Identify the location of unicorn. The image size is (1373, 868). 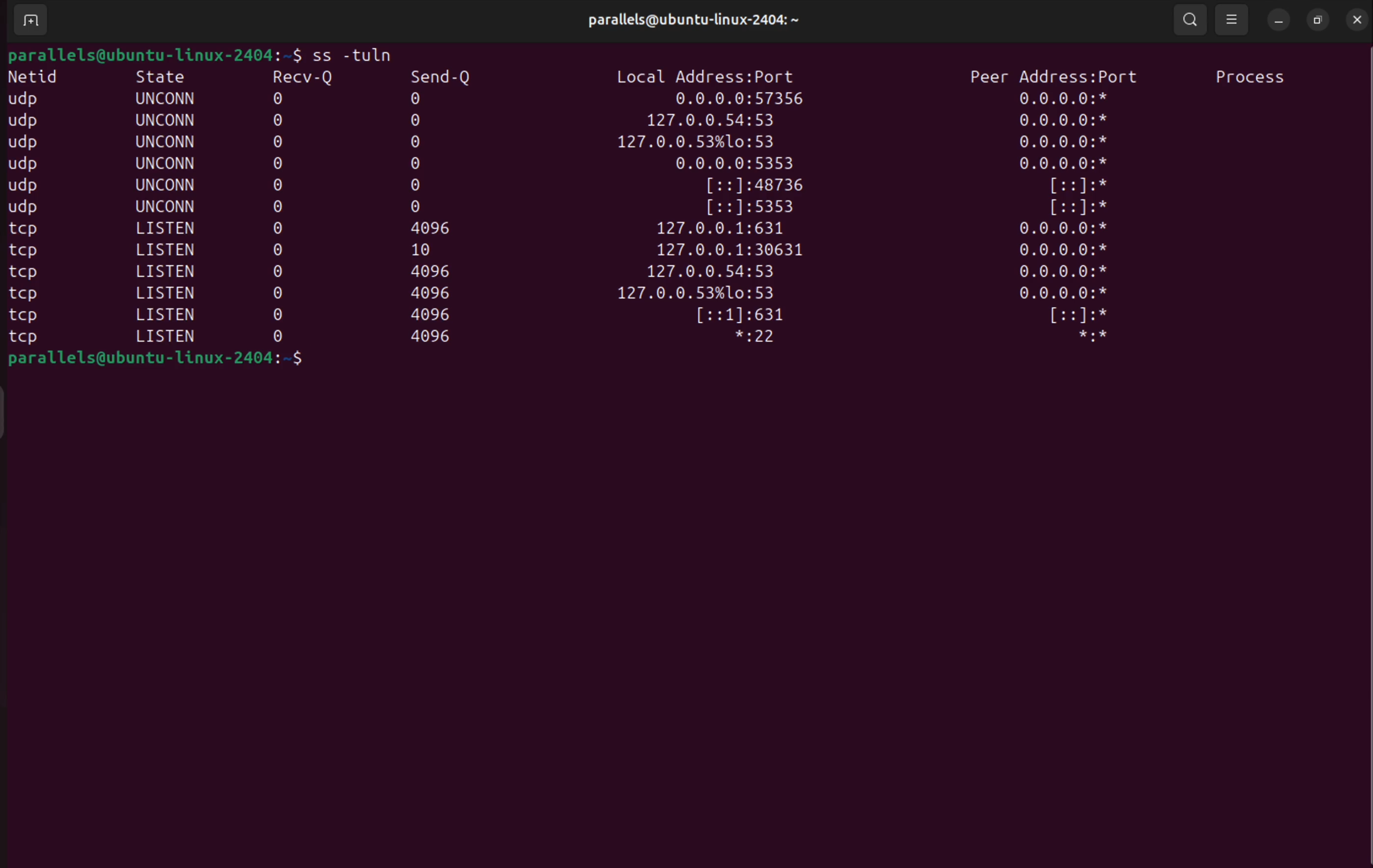
(166, 185).